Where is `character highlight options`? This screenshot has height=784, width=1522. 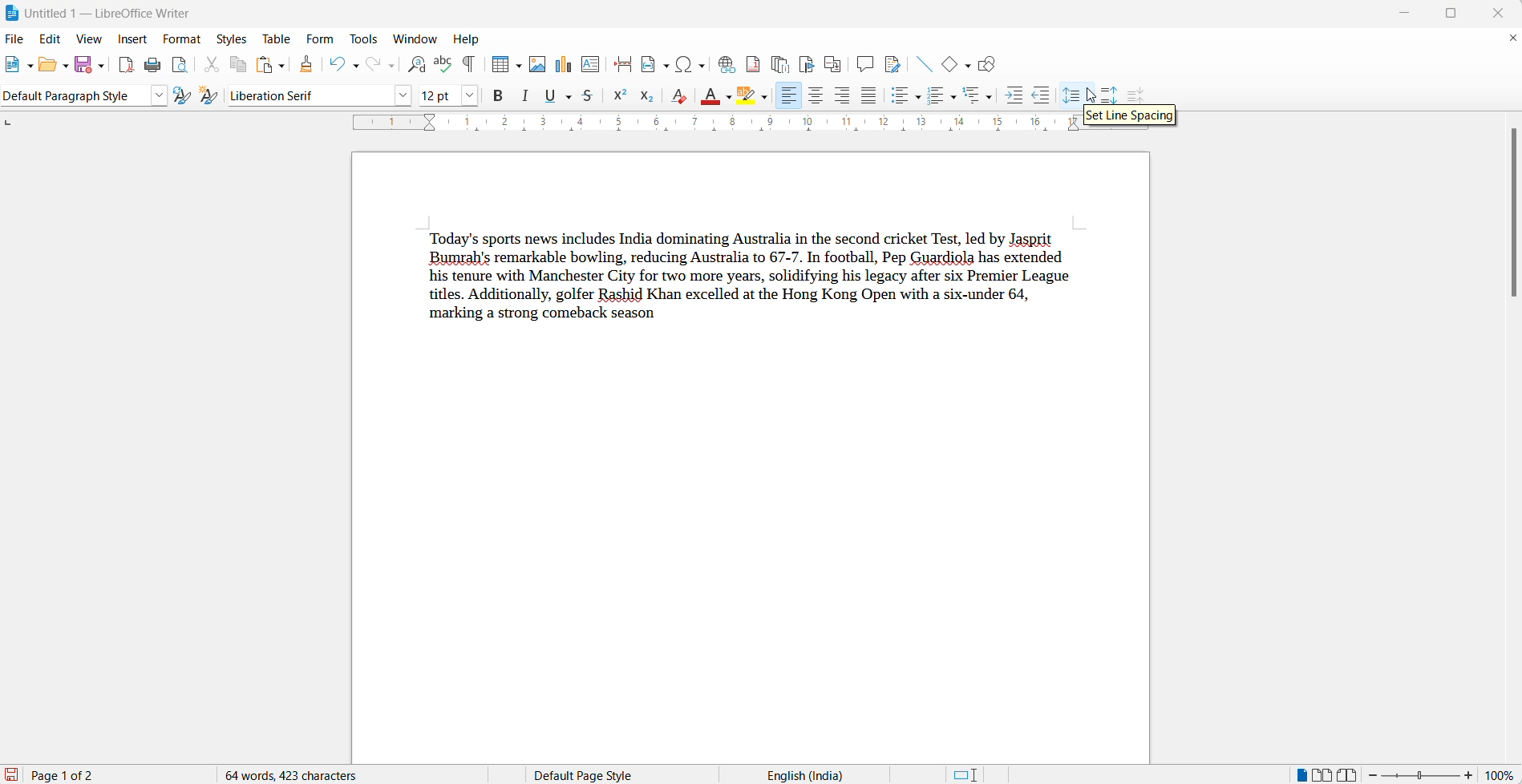 character highlight options is located at coordinates (764, 99).